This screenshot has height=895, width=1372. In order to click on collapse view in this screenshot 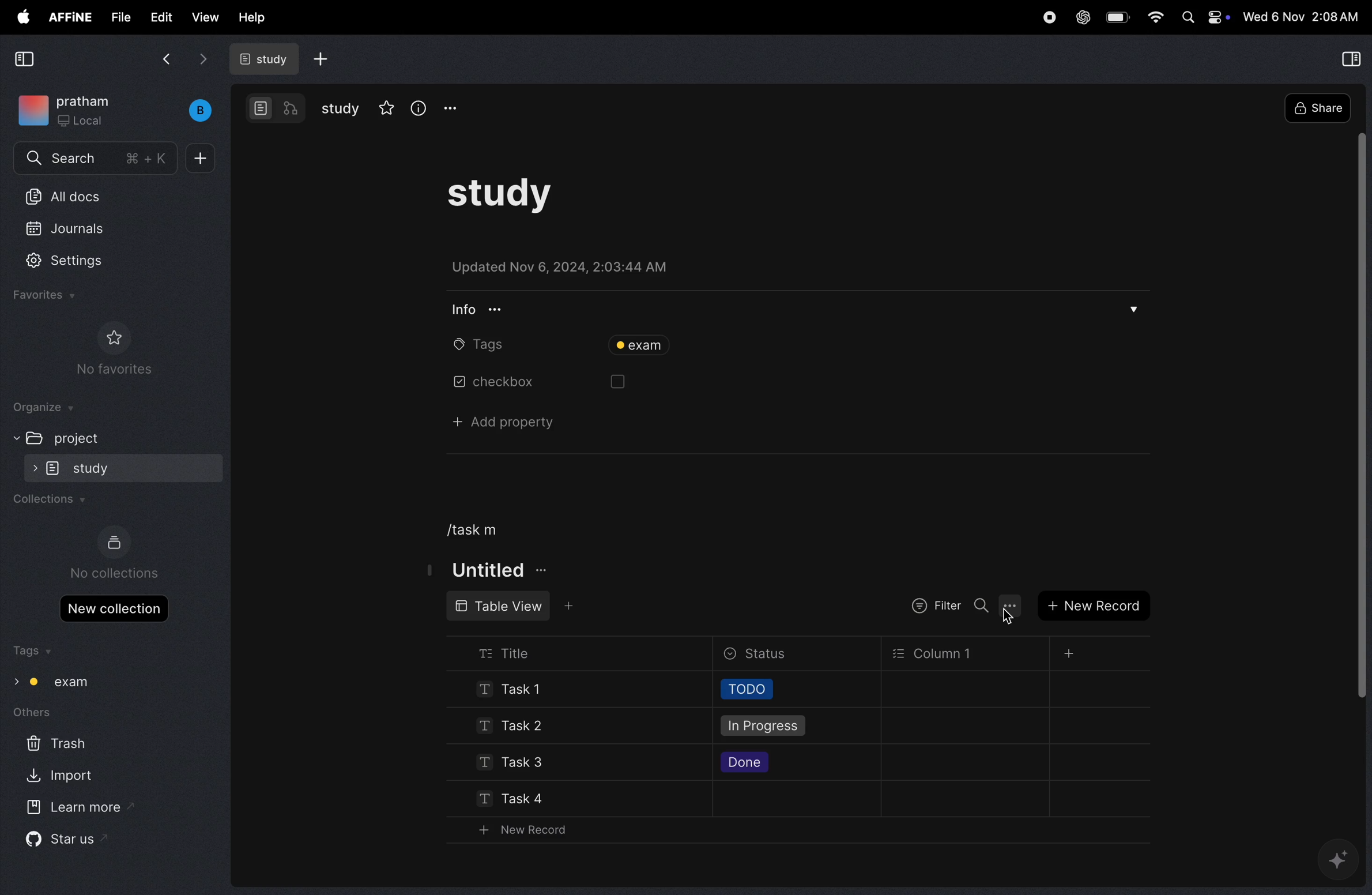, I will do `click(27, 58)`.